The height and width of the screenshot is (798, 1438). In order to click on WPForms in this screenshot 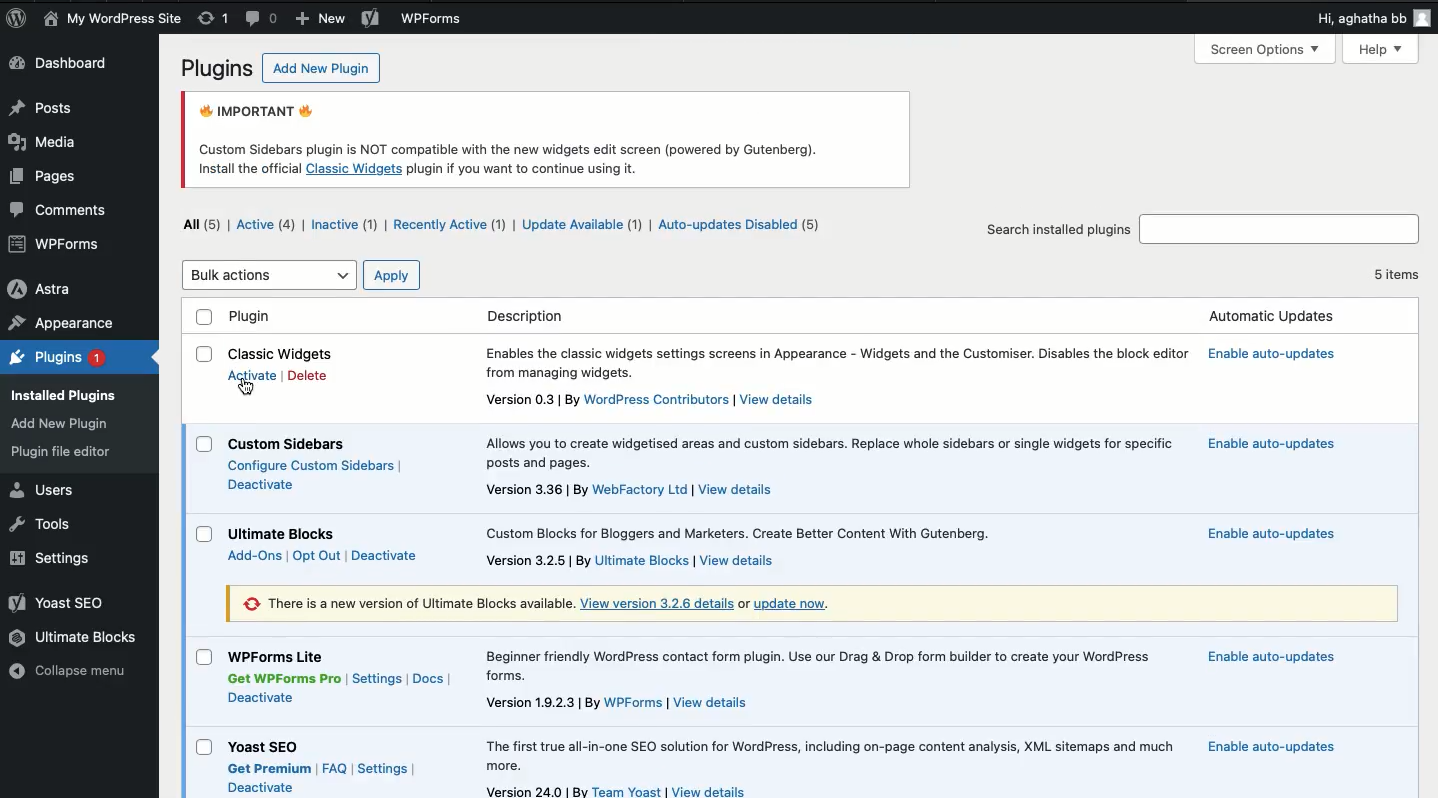, I will do `click(433, 20)`.